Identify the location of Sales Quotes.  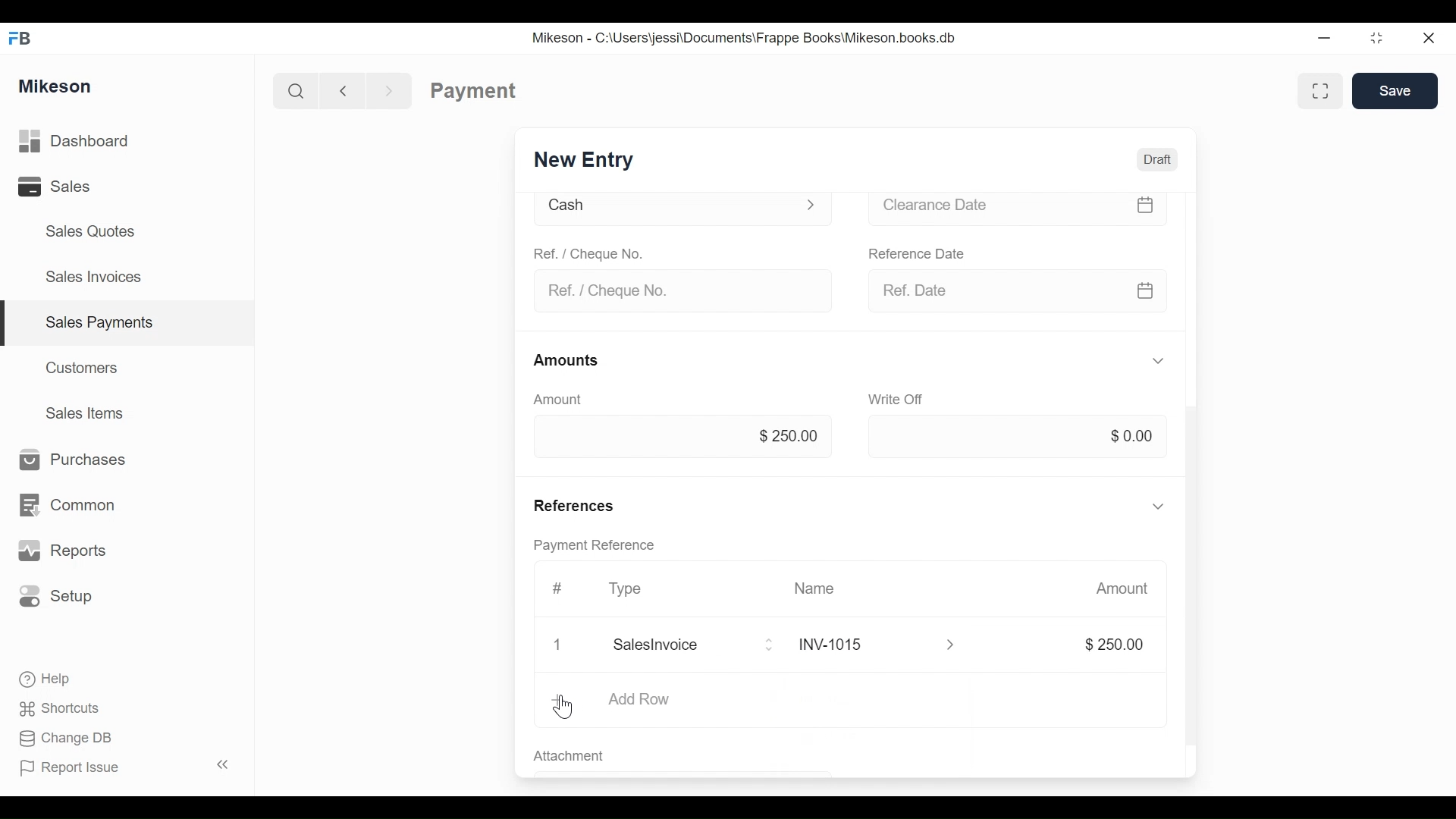
(83, 231).